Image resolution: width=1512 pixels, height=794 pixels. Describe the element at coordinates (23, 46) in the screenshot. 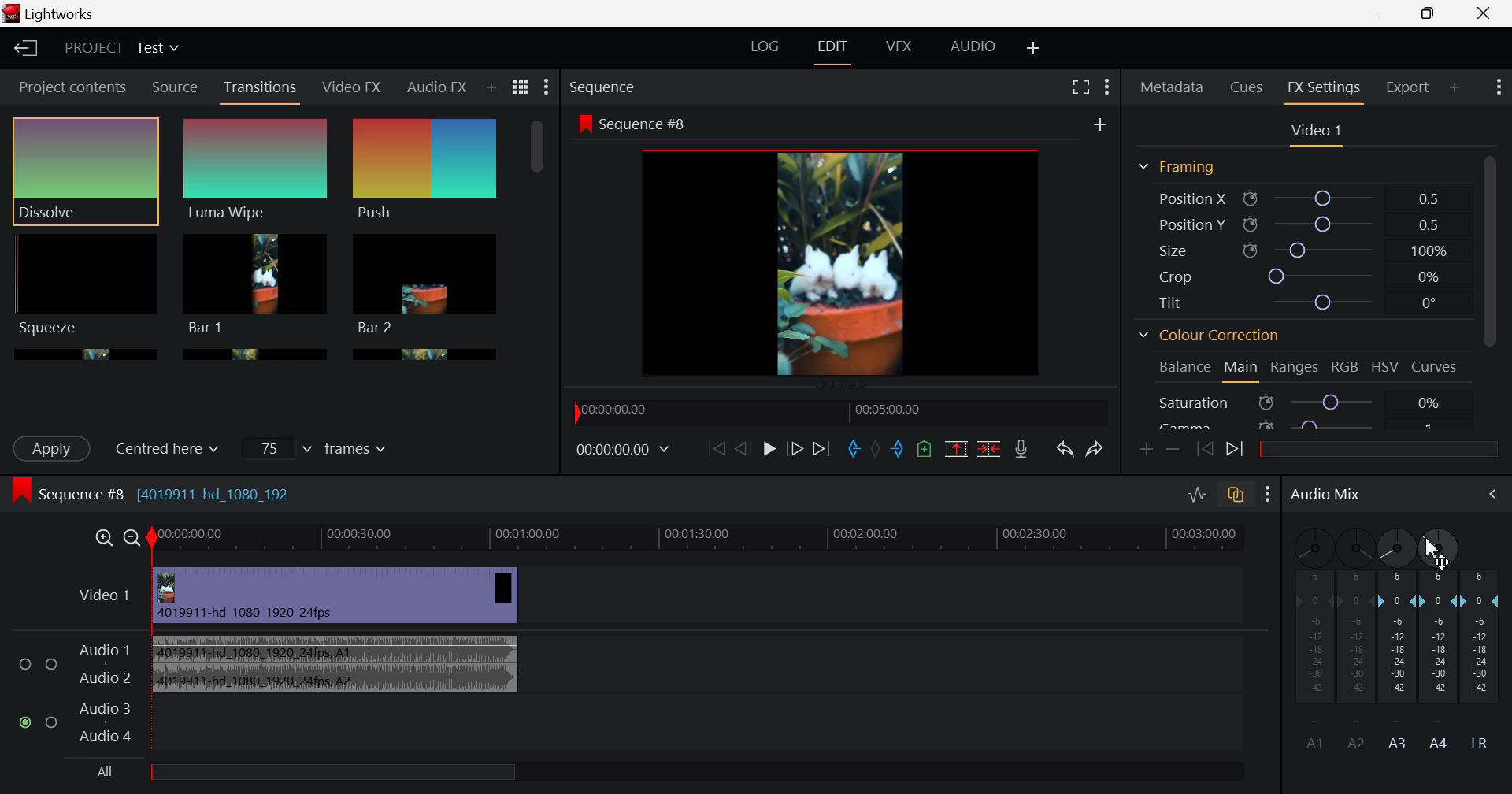

I see `Back to Homepage` at that location.